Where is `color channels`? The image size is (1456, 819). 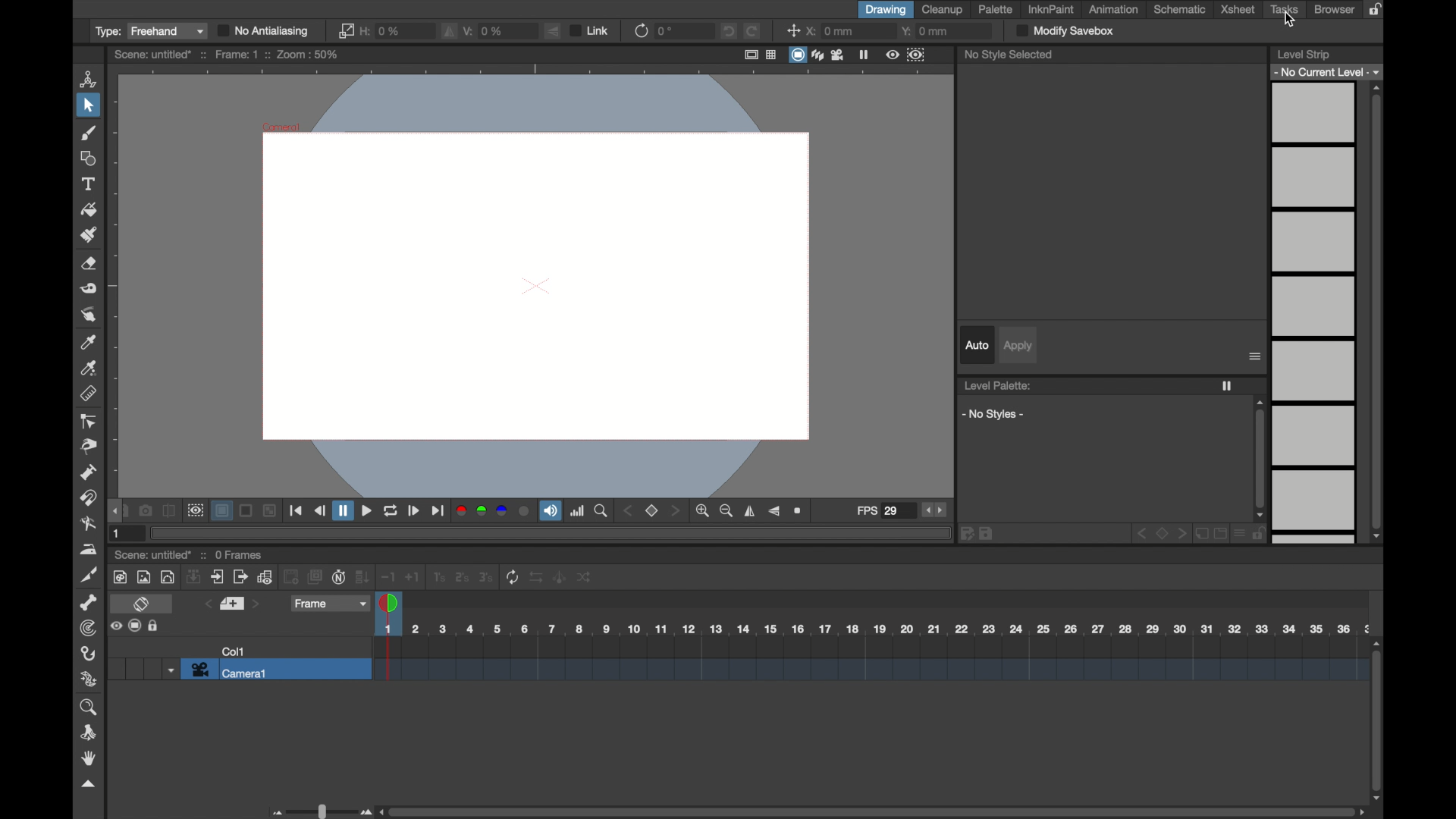 color channels is located at coordinates (495, 511).